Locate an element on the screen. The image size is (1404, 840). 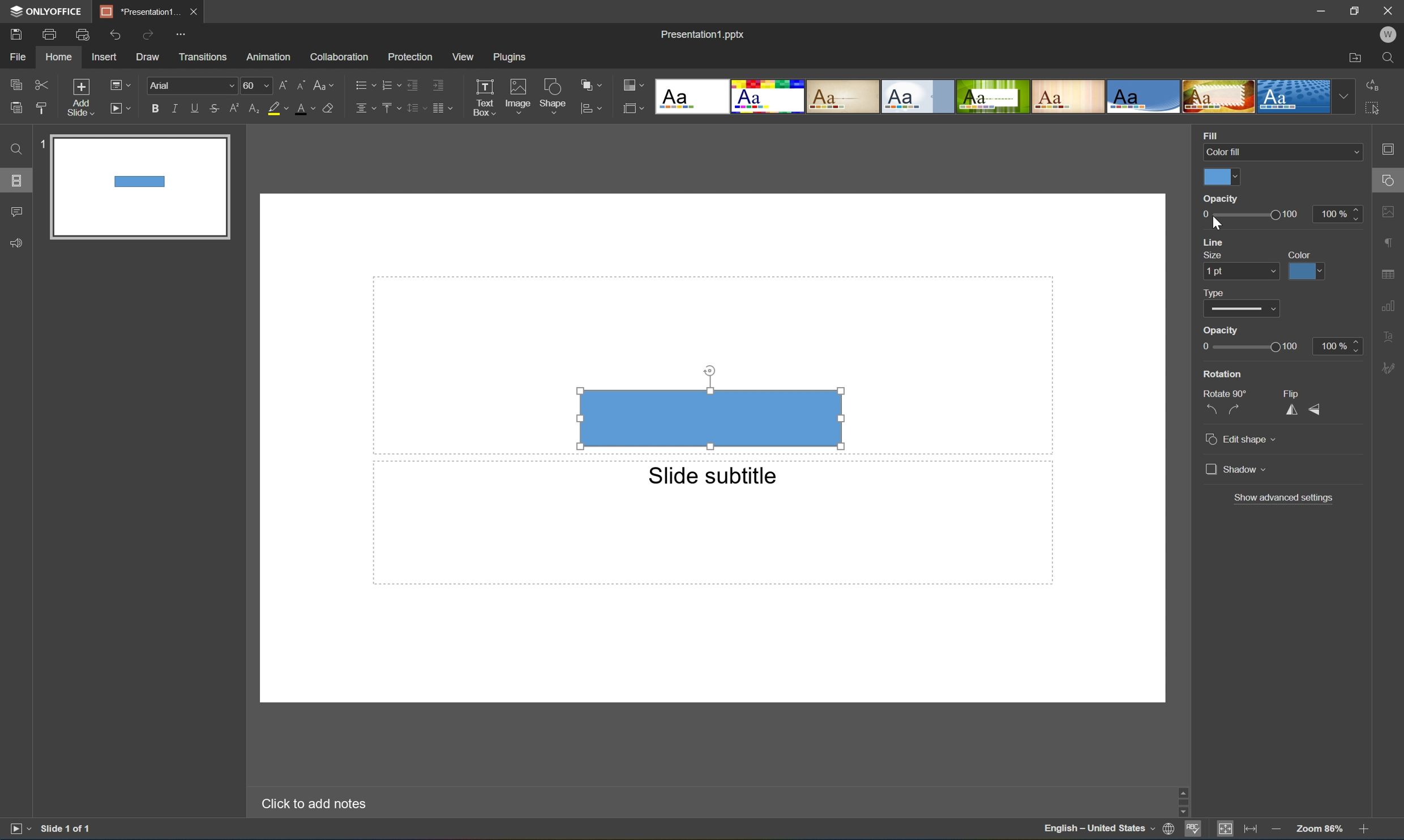
Slider is located at coordinates (1239, 215).